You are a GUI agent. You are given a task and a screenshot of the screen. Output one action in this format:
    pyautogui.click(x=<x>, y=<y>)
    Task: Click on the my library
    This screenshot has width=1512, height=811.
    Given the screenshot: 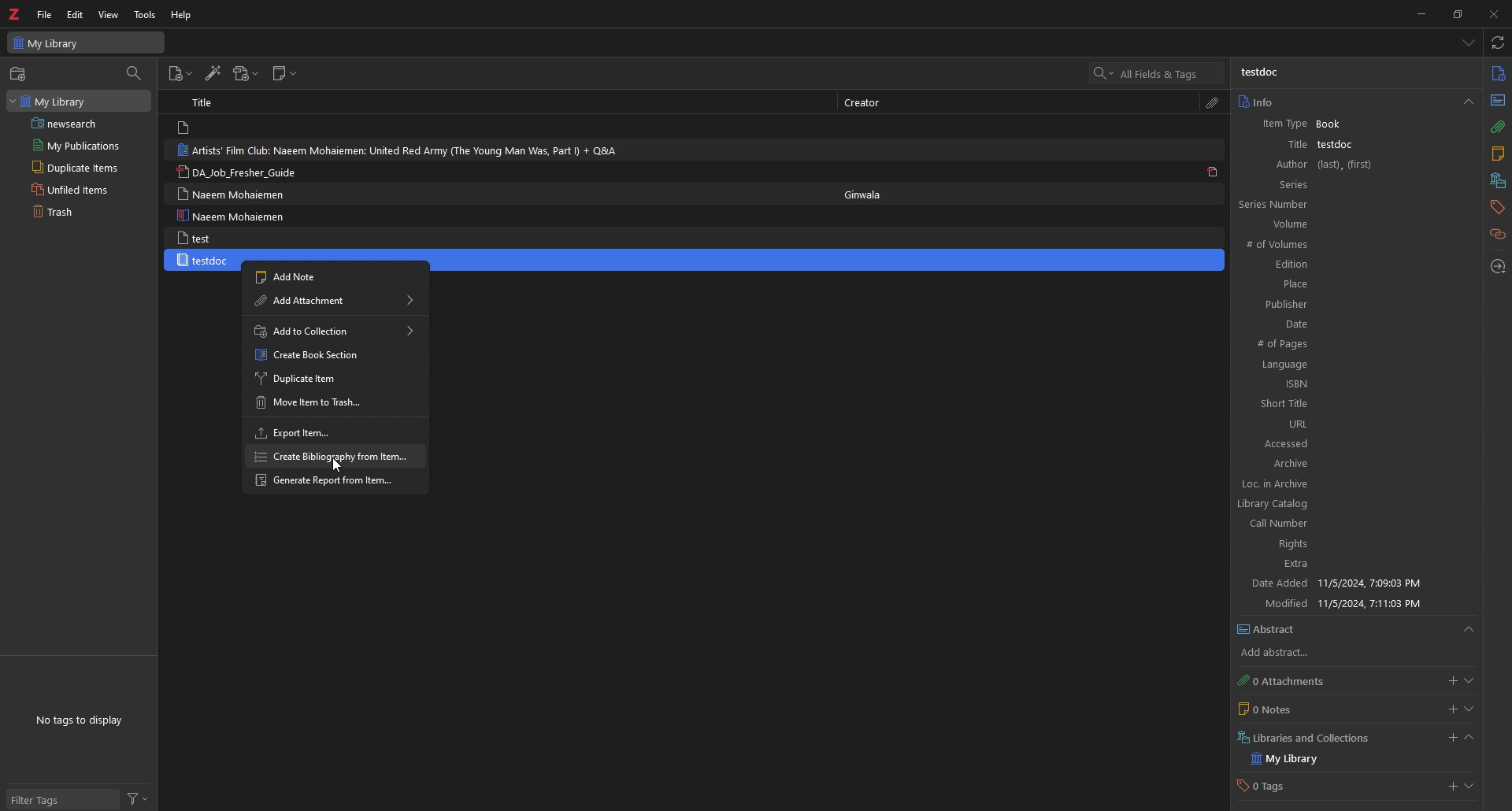 What is the action you would take?
    pyautogui.click(x=1299, y=759)
    